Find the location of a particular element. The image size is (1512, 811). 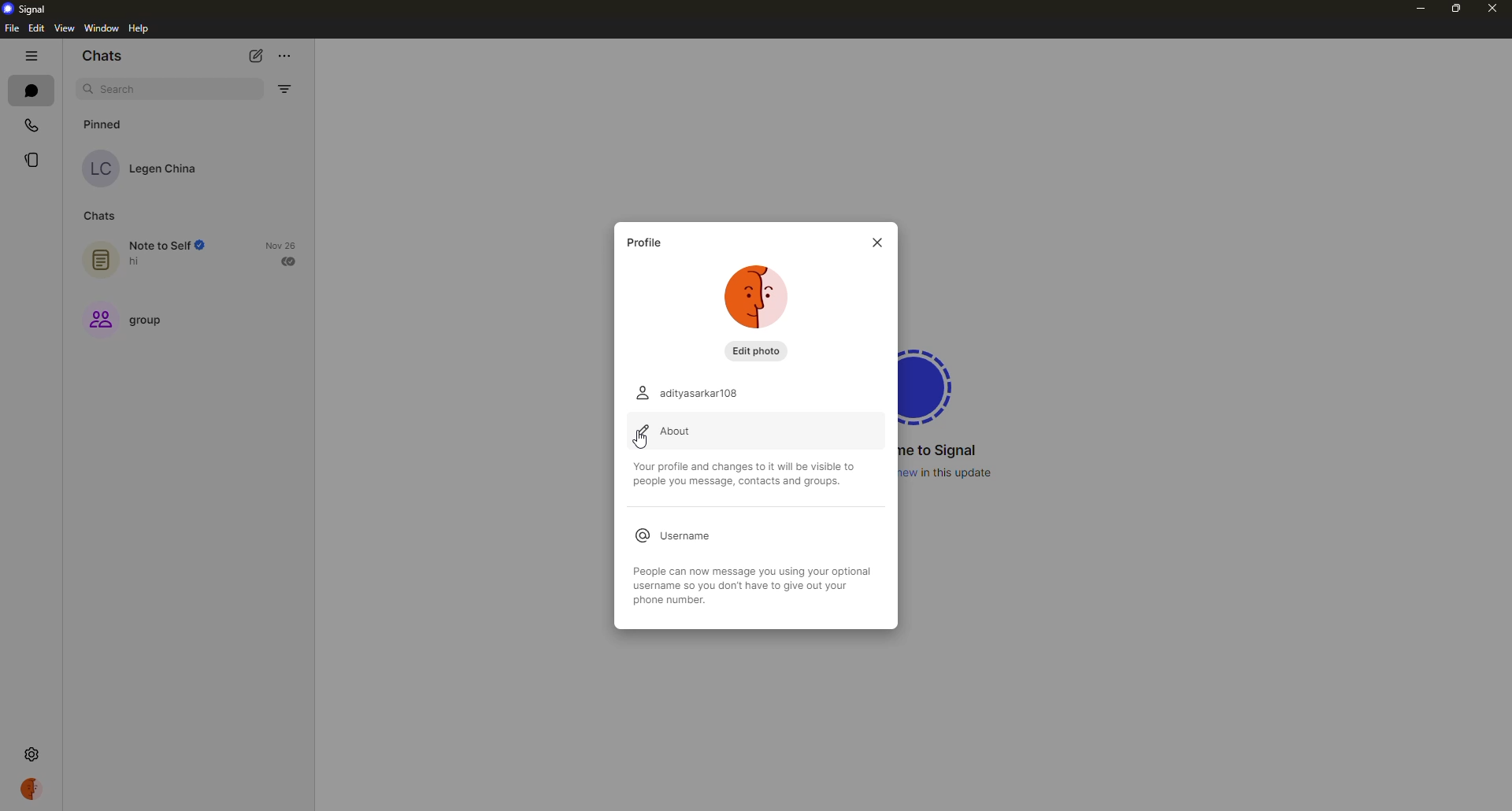

about is located at coordinates (669, 431).